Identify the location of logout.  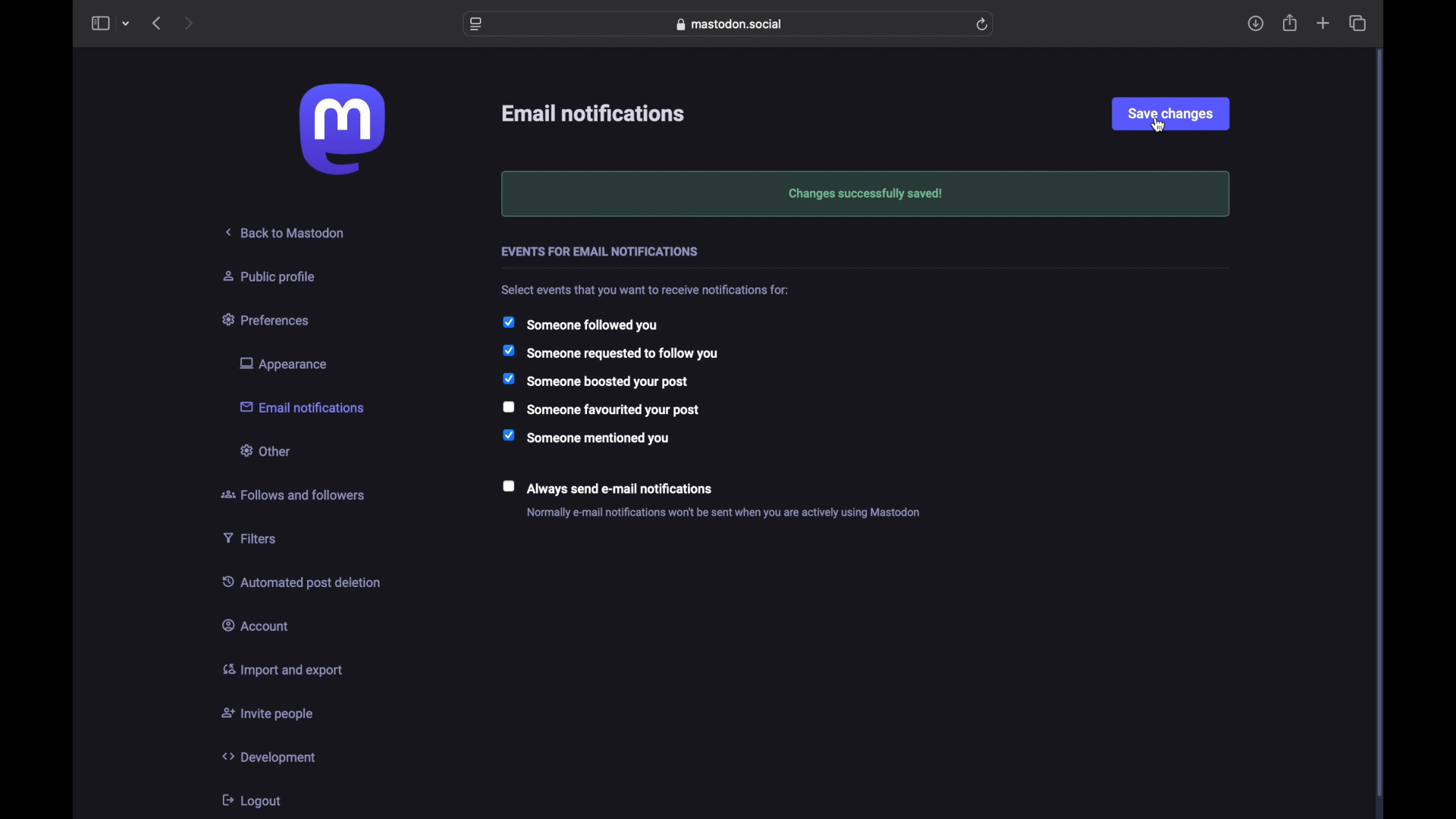
(250, 800).